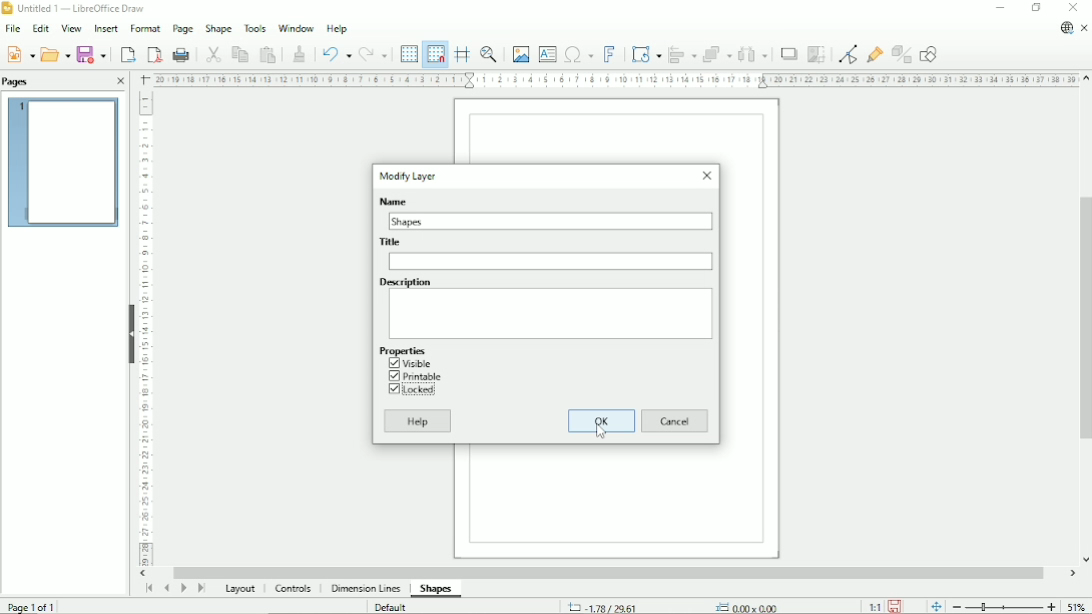 The width and height of the screenshot is (1092, 614). Describe the element at coordinates (999, 9) in the screenshot. I see `Minimize` at that location.